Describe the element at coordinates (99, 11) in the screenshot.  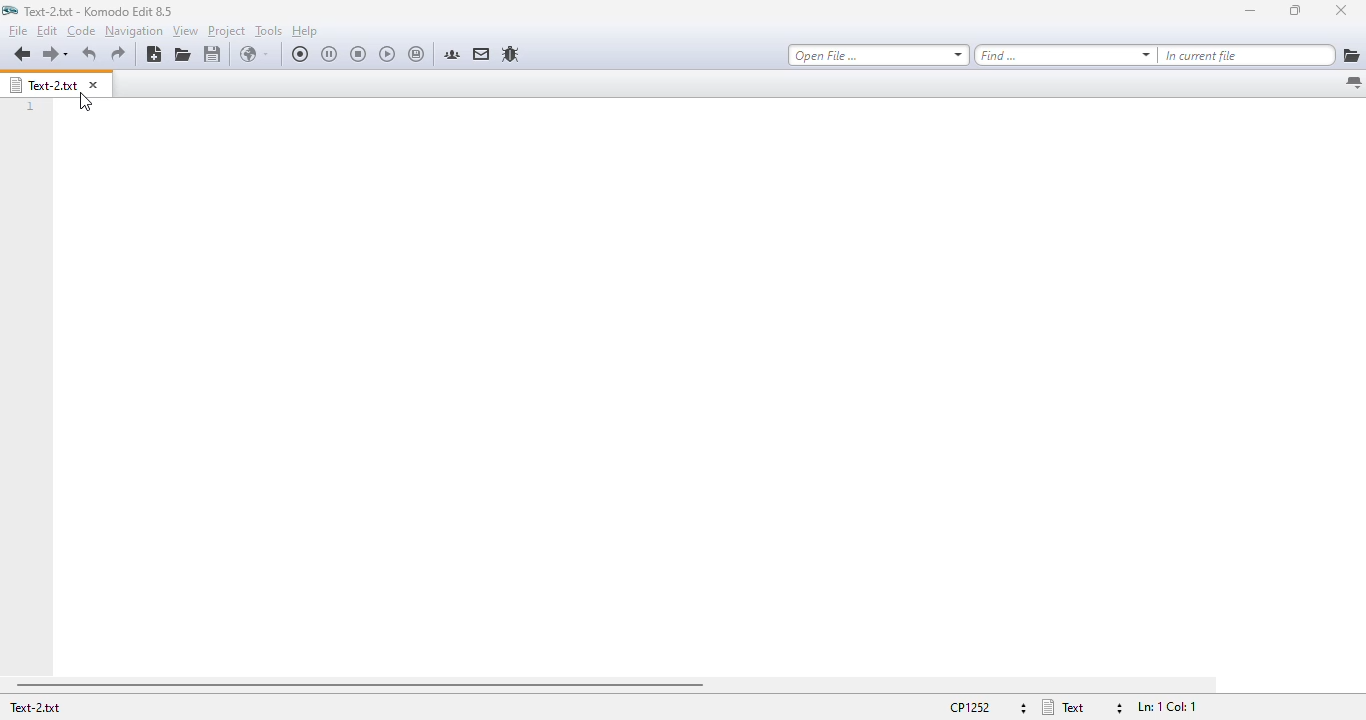
I see `title` at that location.